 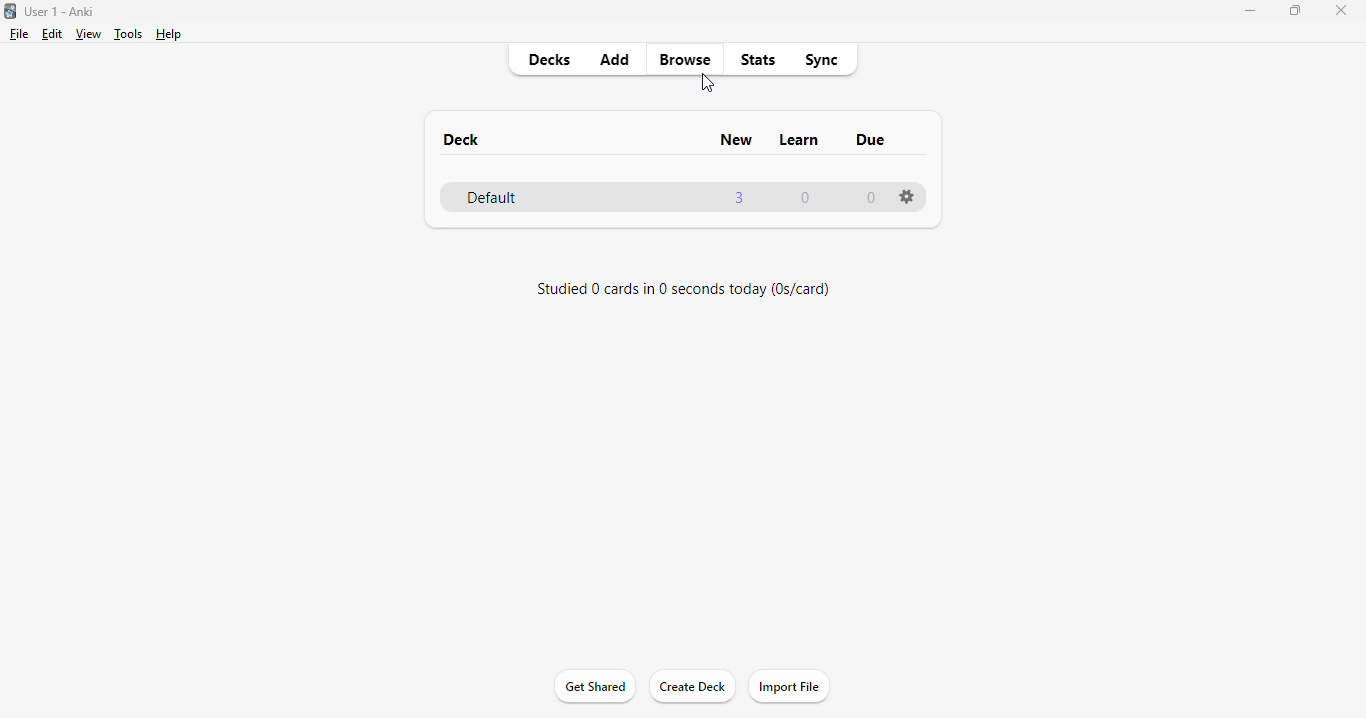 What do you see at coordinates (820, 61) in the screenshot?
I see `sync` at bounding box center [820, 61].